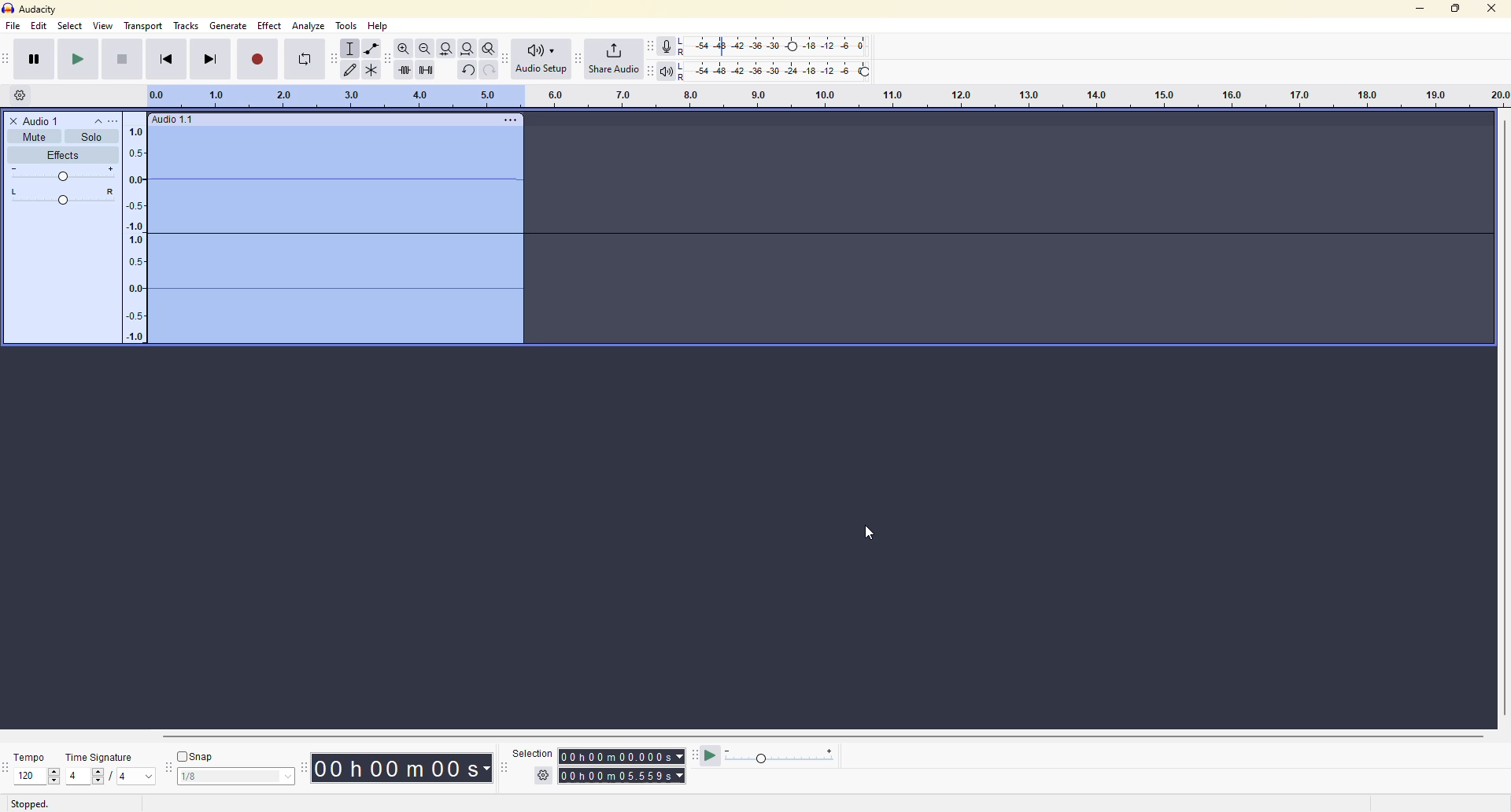 The height and width of the screenshot is (812, 1511). I want to click on silence audio selection, so click(424, 68).